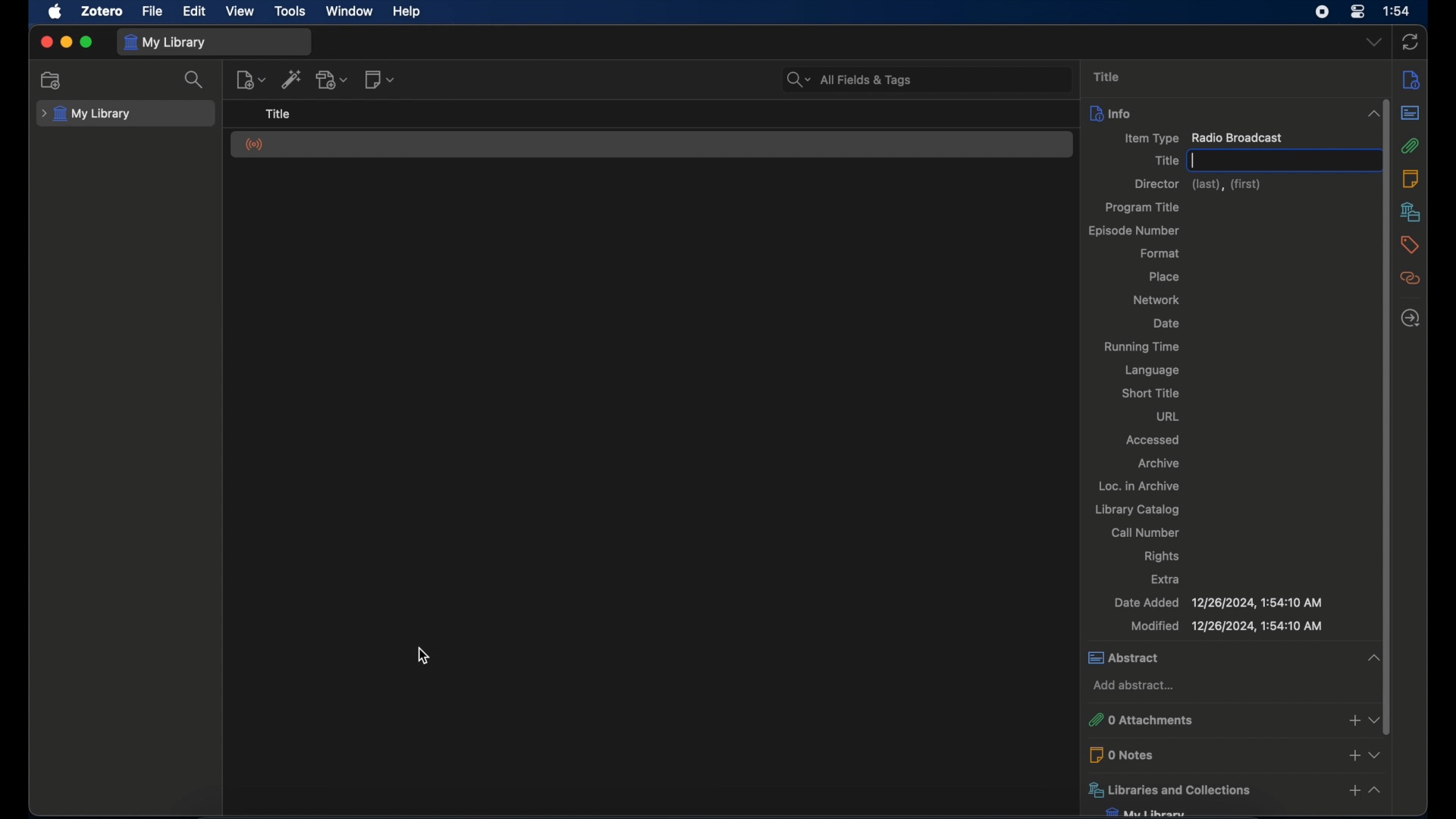 This screenshot has width=1456, height=819. What do you see at coordinates (241, 11) in the screenshot?
I see `view` at bounding box center [241, 11].